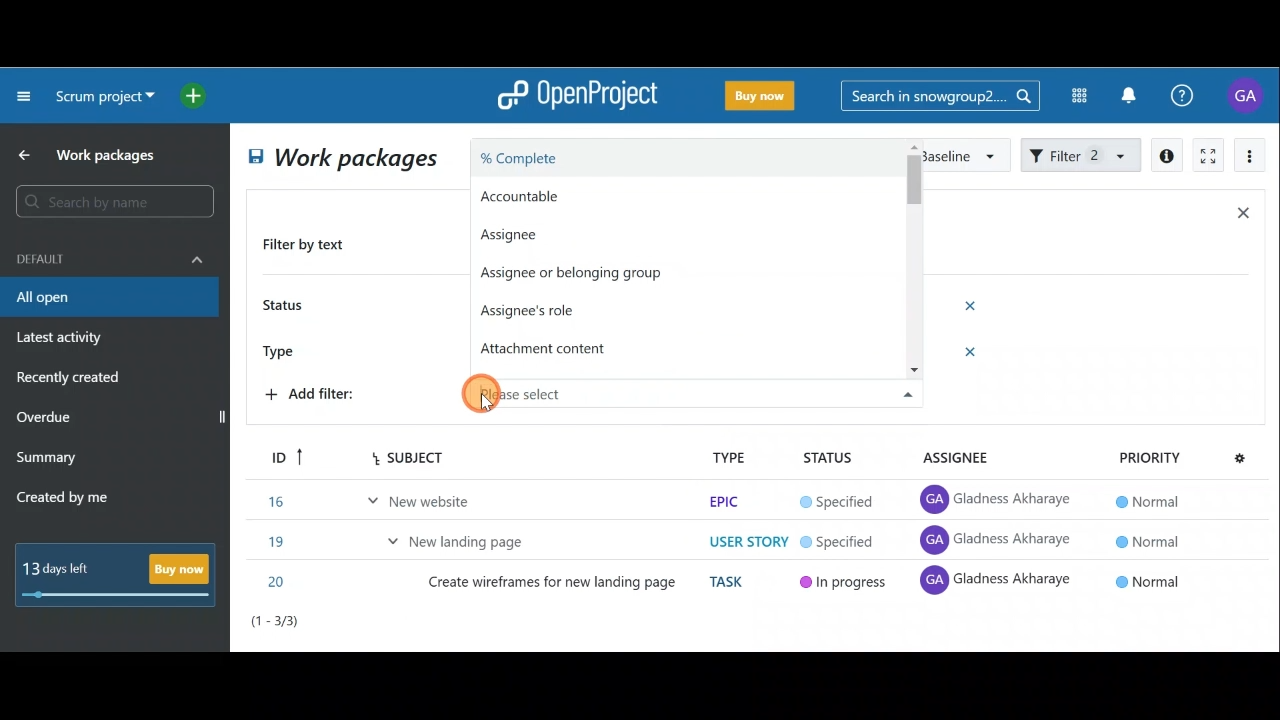 This screenshot has height=720, width=1280. What do you see at coordinates (722, 501) in the screenshot?
I see `epic` at bounding box center [722, 501].